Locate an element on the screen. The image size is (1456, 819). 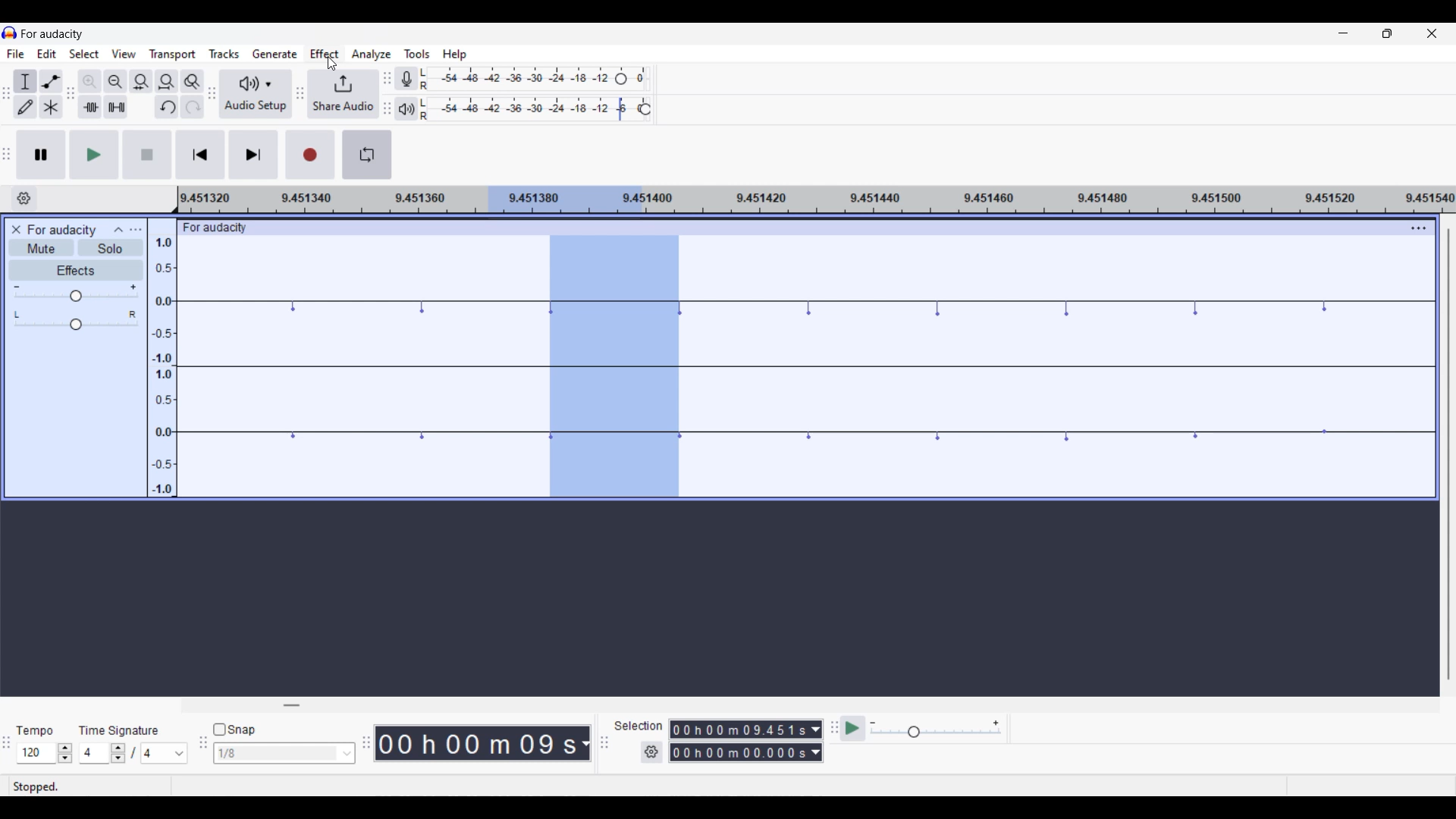
Software logo is located at coordinates (10, 33).